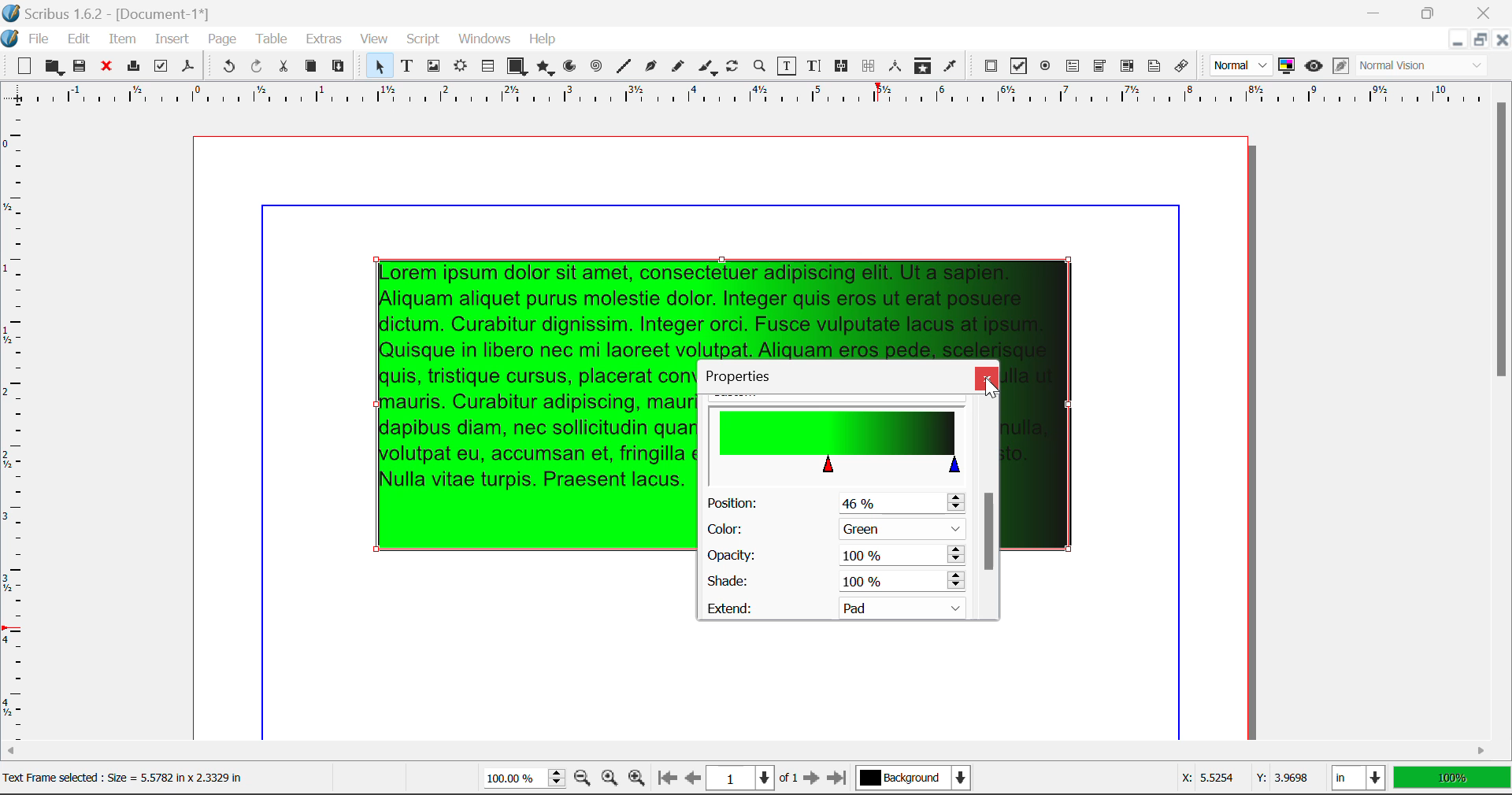  What do you see at coordinates (835, 556) in the screenshot?
I see `Opacity` at bounding box center [835, 556].